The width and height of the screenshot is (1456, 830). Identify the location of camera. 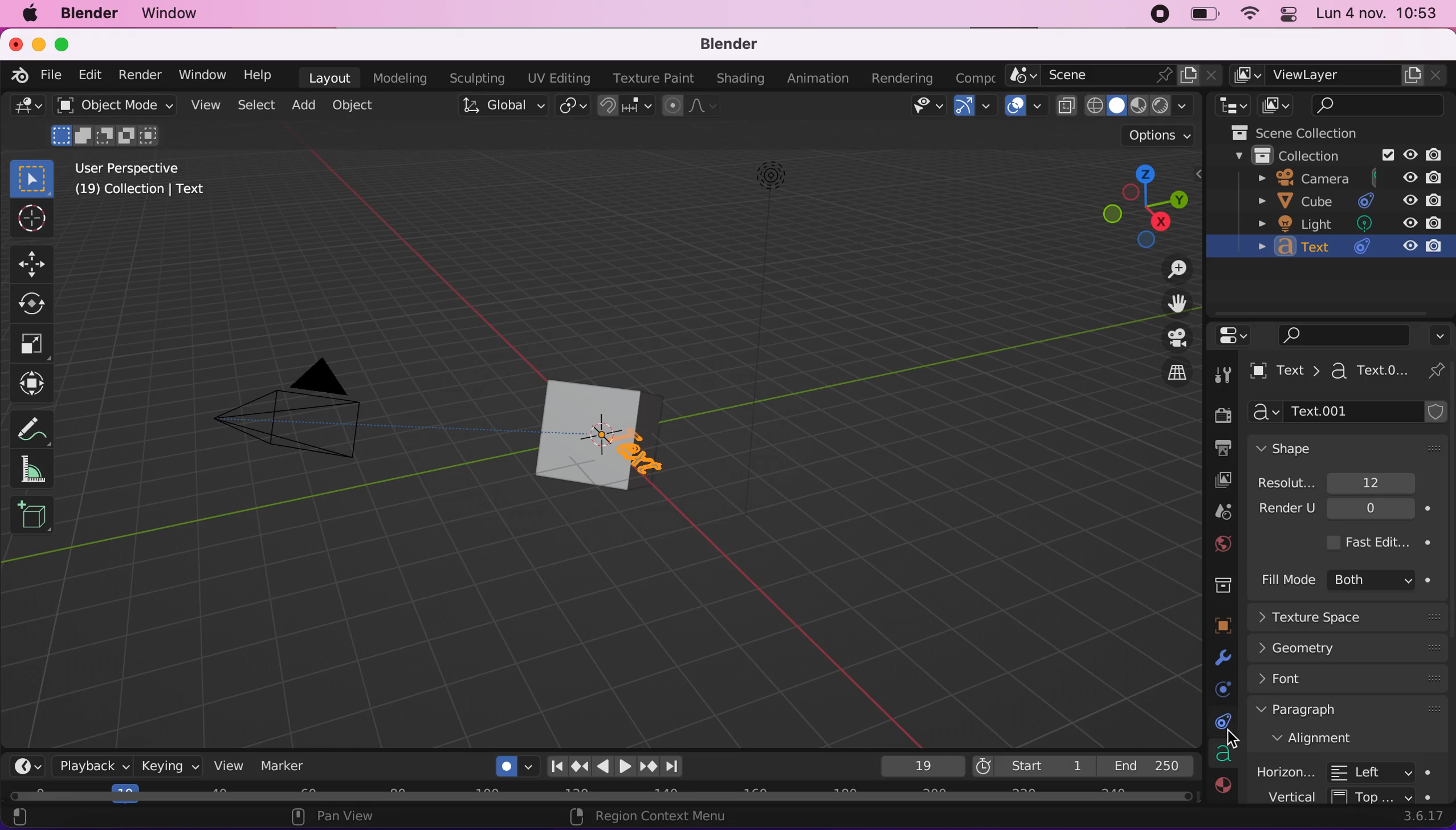
(1340, 180).